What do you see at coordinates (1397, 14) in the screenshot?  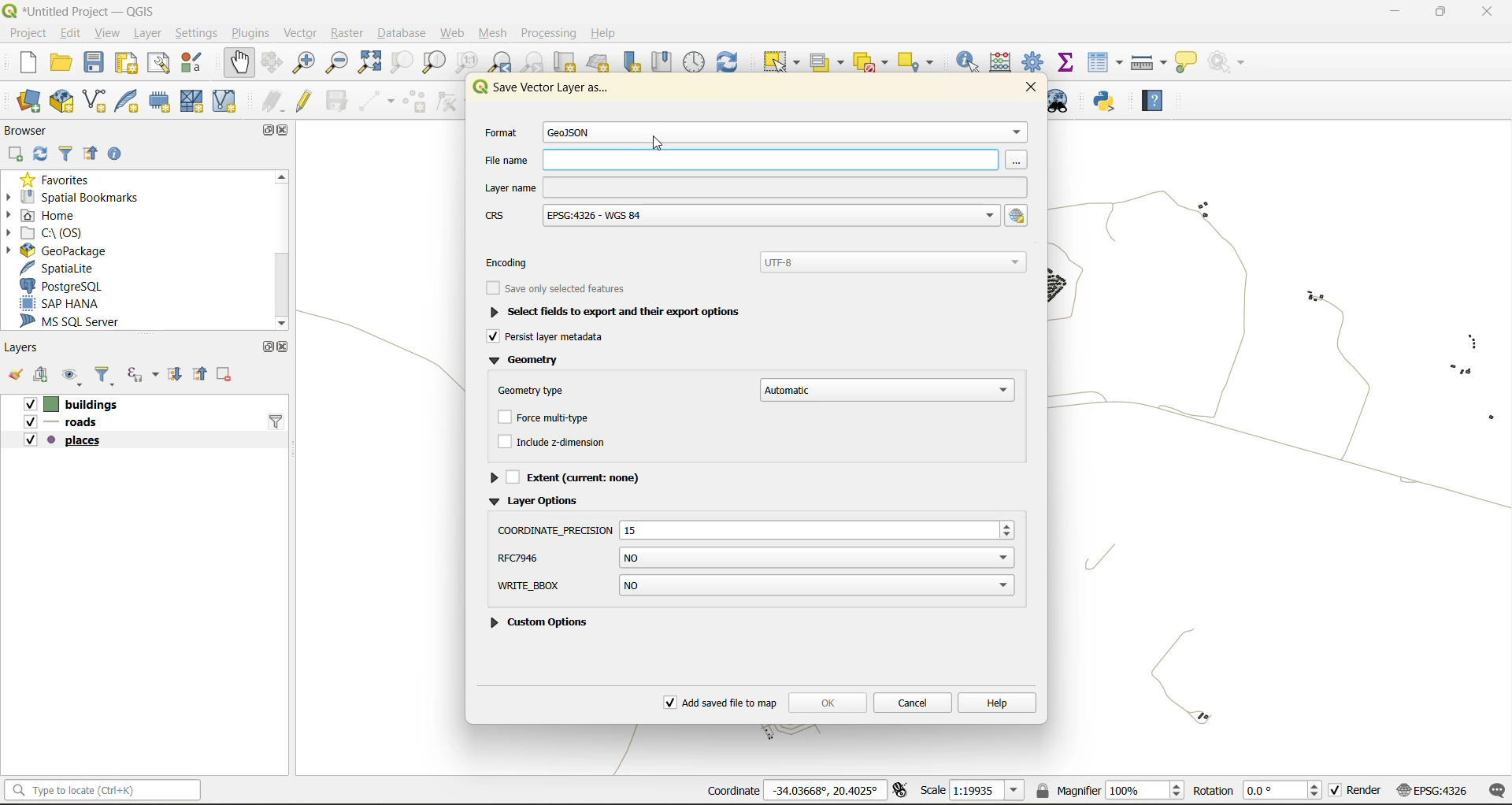 I see `minimize` at bounding box center [1397, 14].